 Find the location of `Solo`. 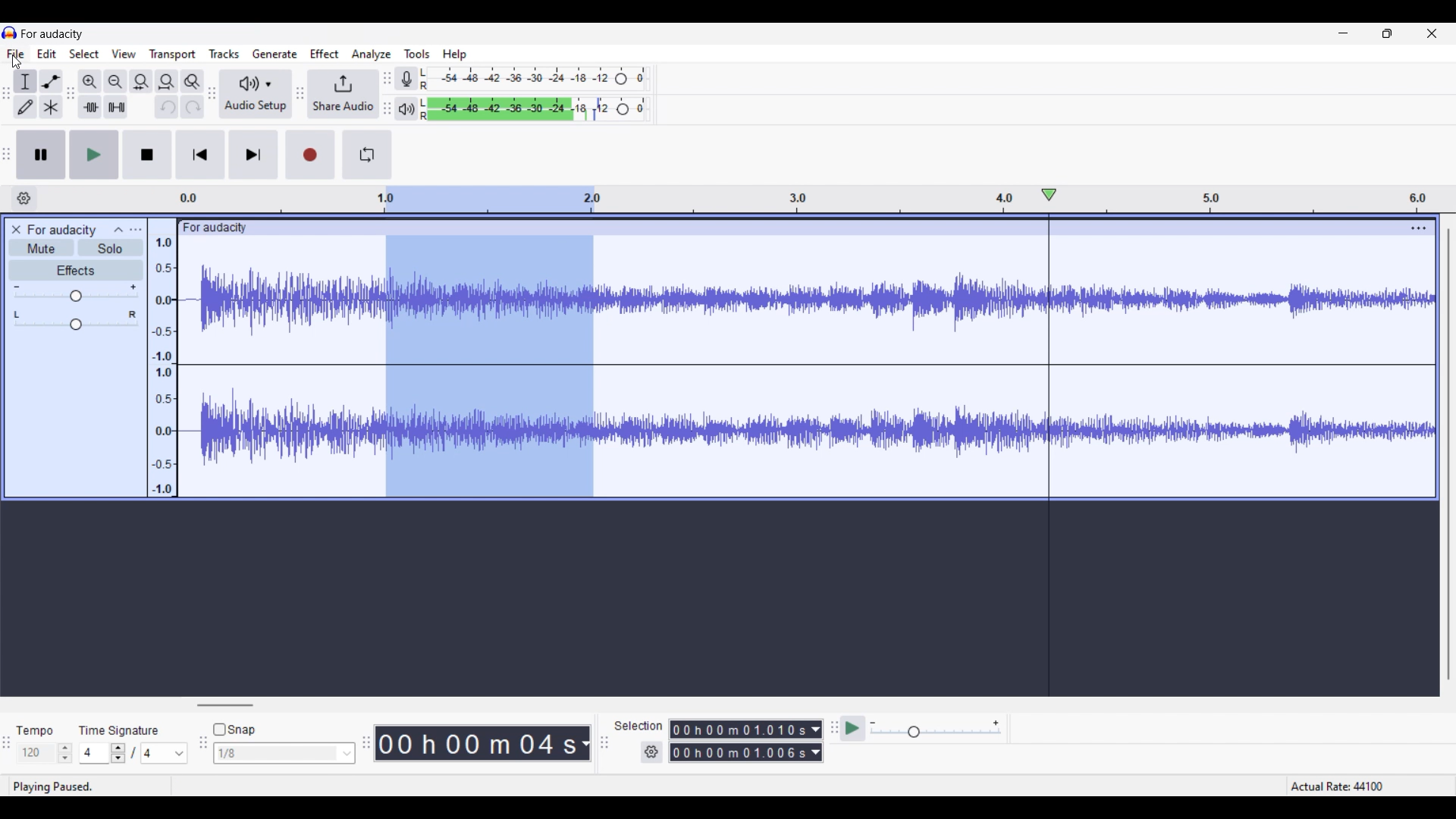

Solo is located at coordinates (111, 248).